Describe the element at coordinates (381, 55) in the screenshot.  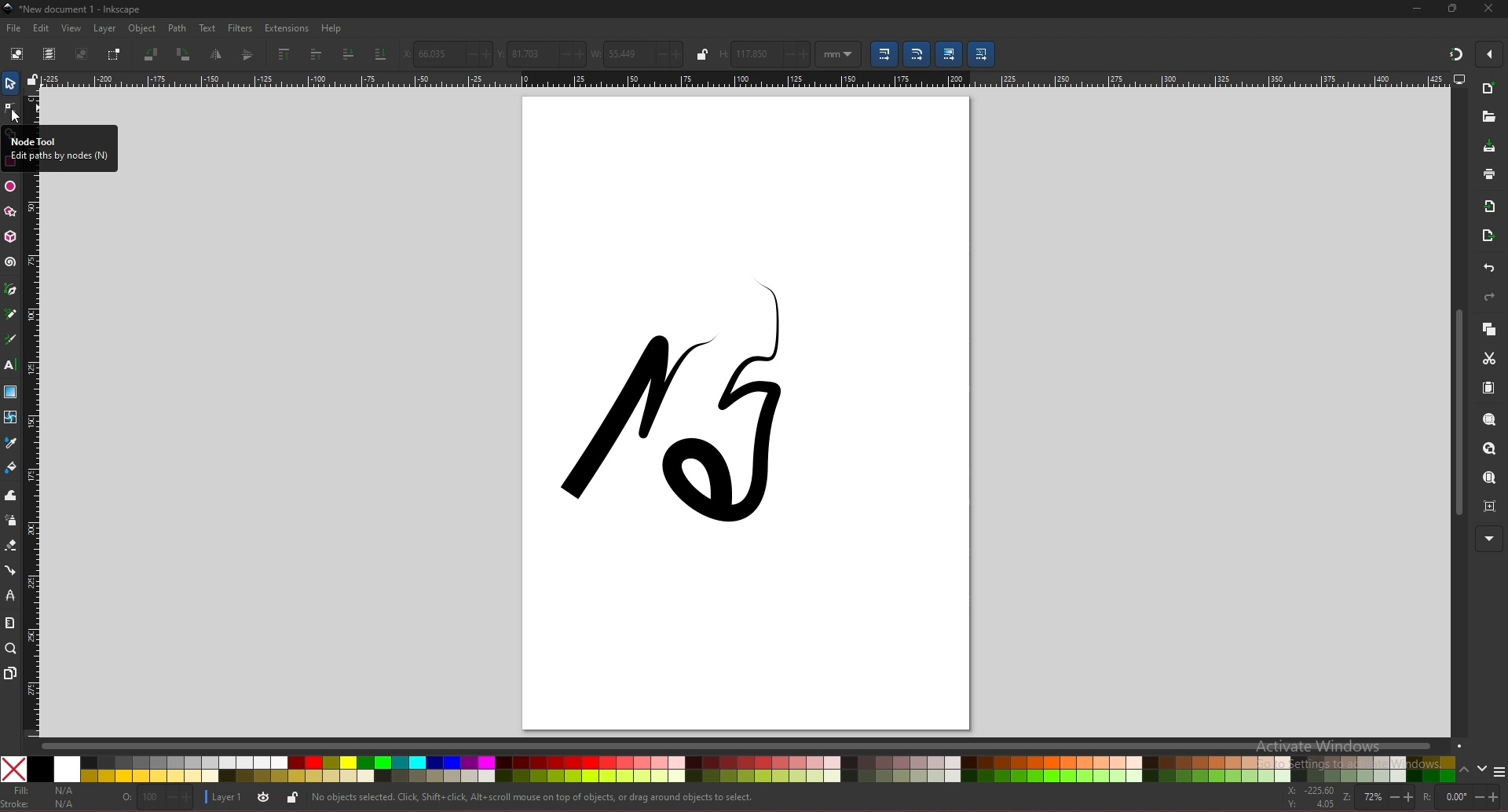
I see `lower selection to bottom` at that location.